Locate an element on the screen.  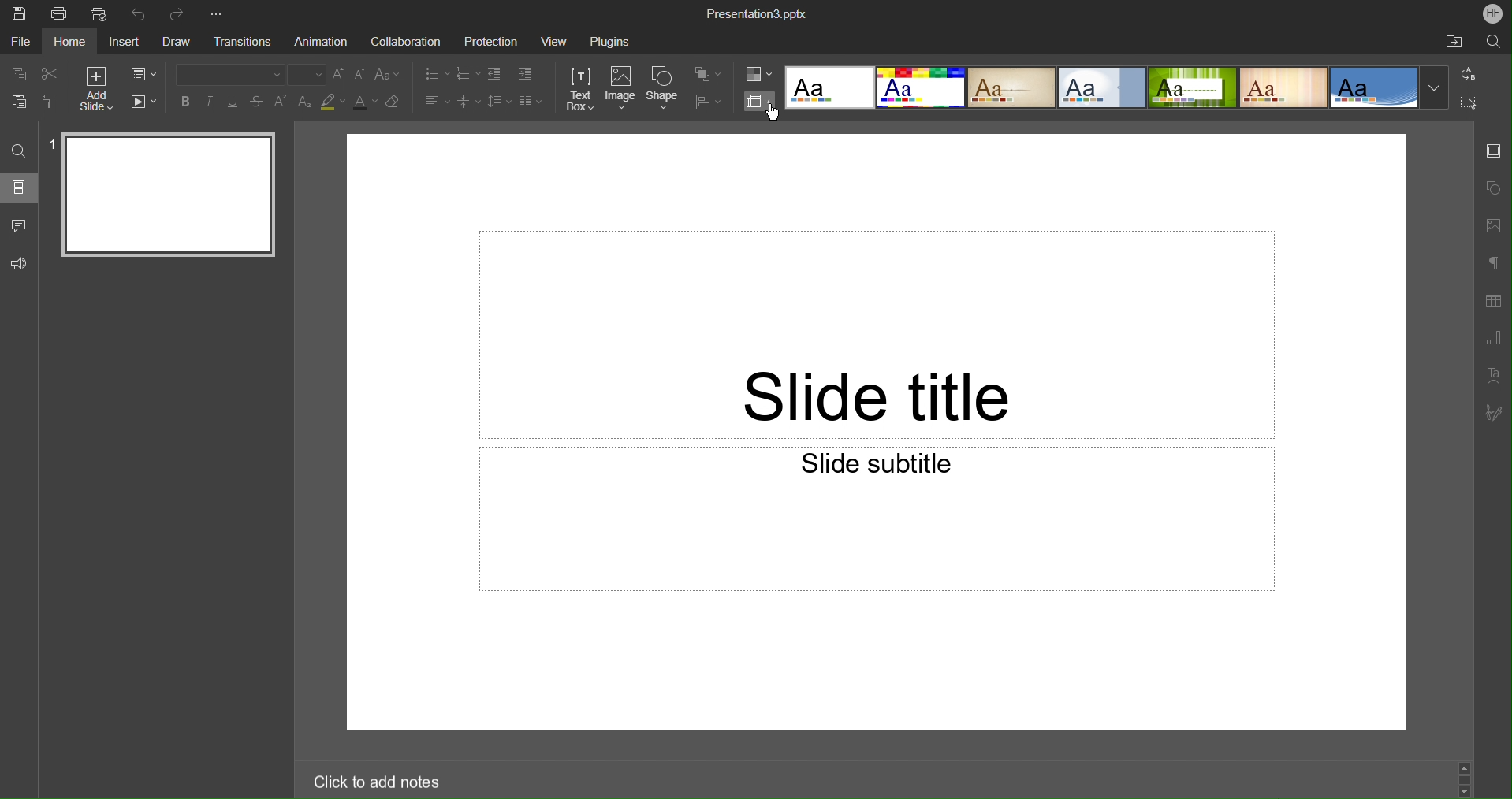
Graph is located at coordinates (1494, 339).